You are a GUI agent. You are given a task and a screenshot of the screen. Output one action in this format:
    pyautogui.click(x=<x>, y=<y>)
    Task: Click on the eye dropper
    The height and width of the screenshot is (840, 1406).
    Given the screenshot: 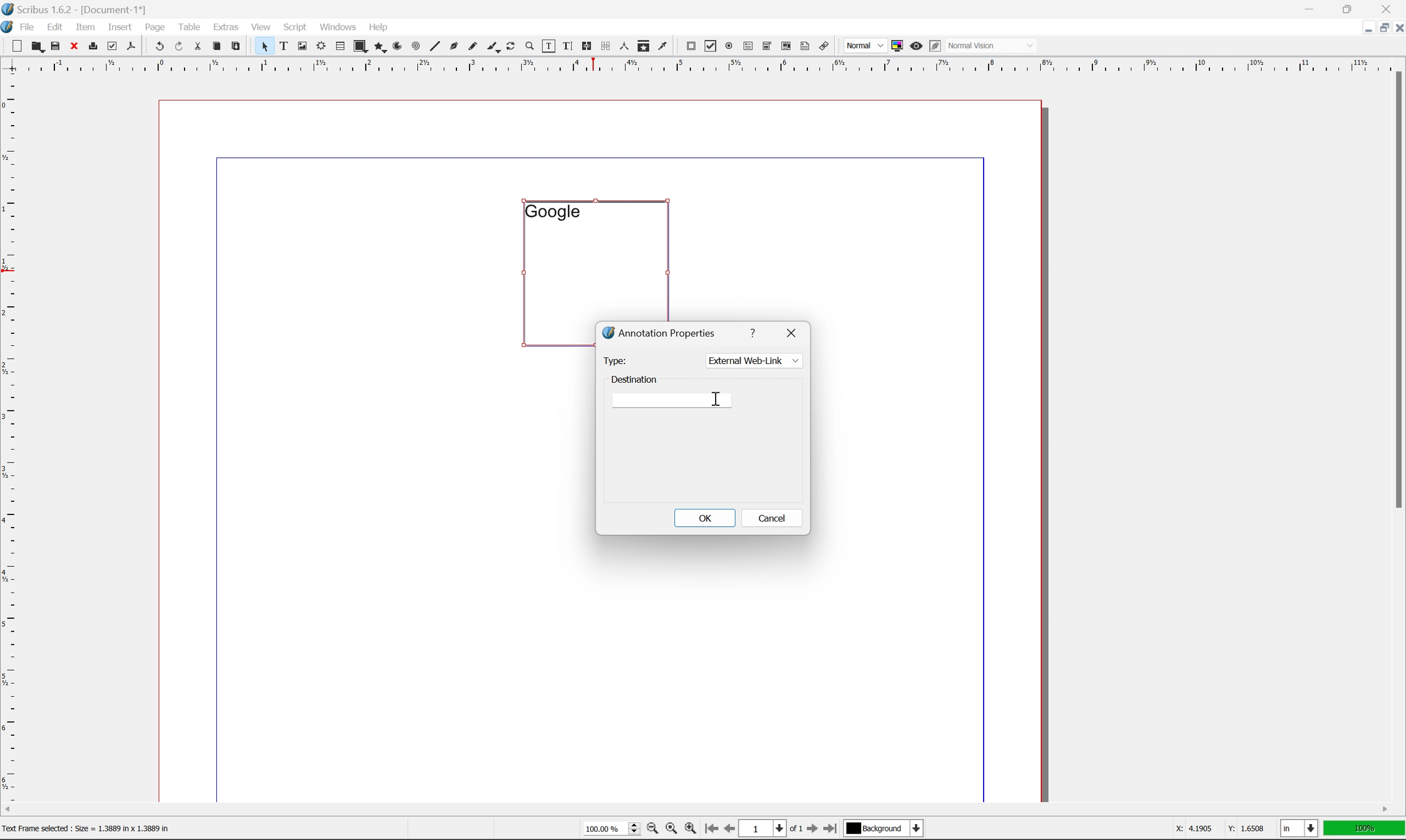 What is the action you would take?
    pyautogui.click(x=663, y=45)
    